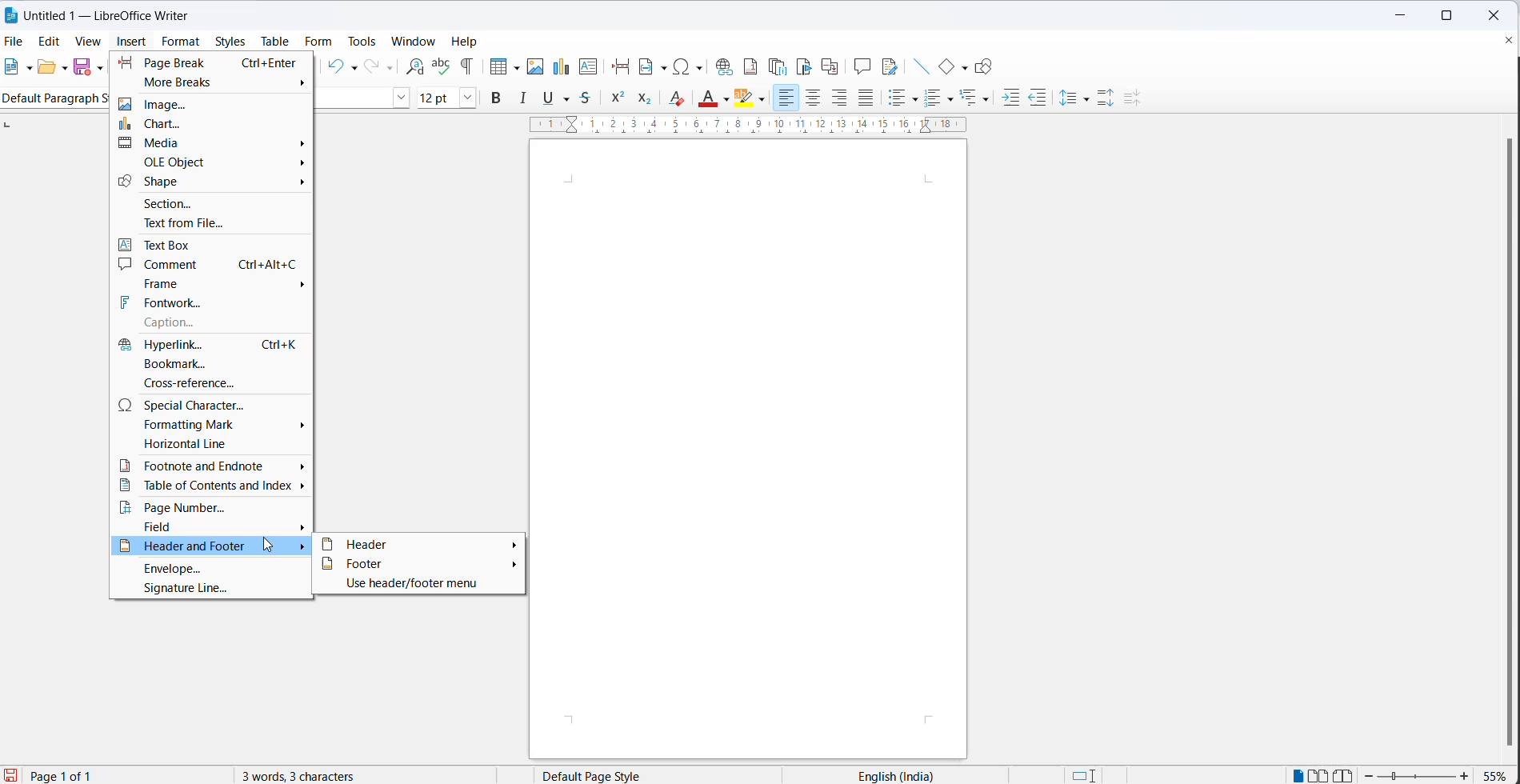 The height and width of the screenshot is (784, 1520). Describe the element at coordinates (1068, 94) in the screenshot. I see `line spacing` at that location.